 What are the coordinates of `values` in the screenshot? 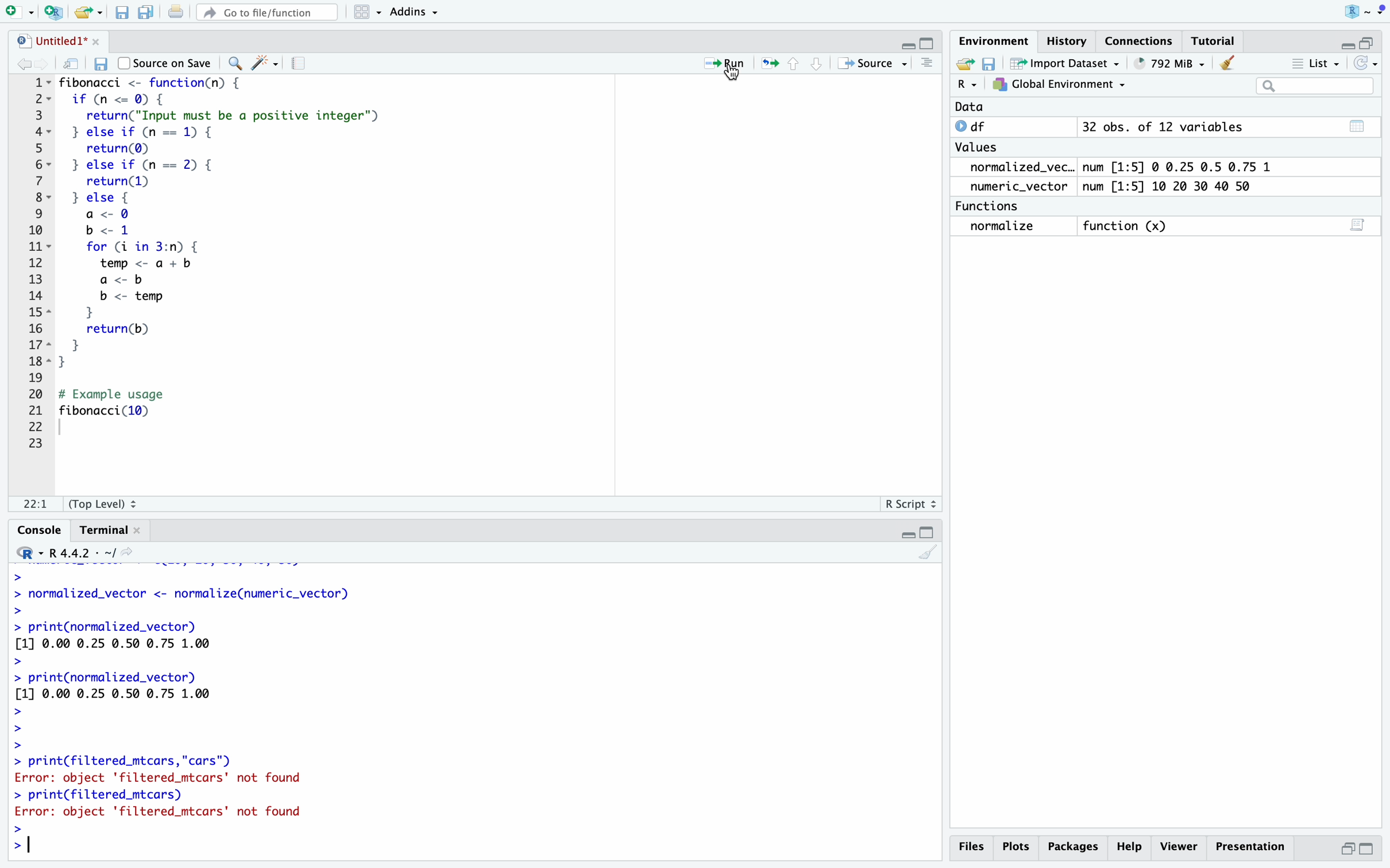 It's located at (979, 147).